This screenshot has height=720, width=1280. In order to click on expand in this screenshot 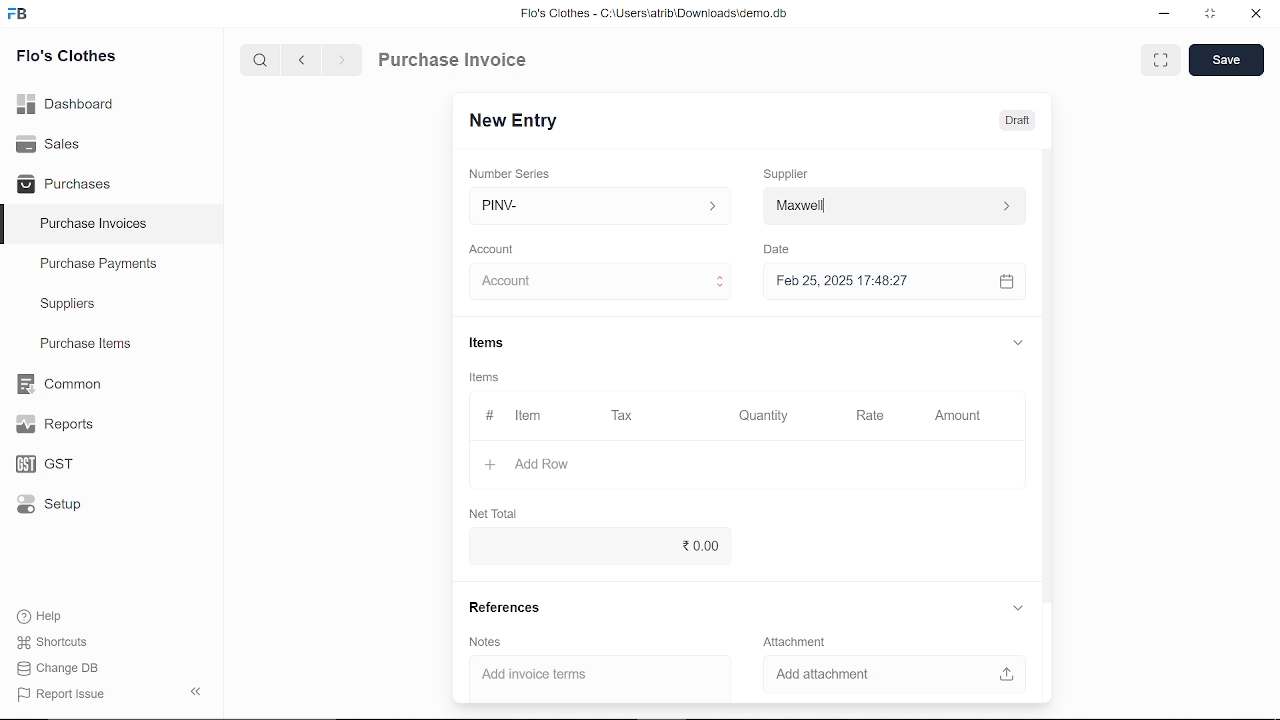, I will do `click(1017, 607)`.